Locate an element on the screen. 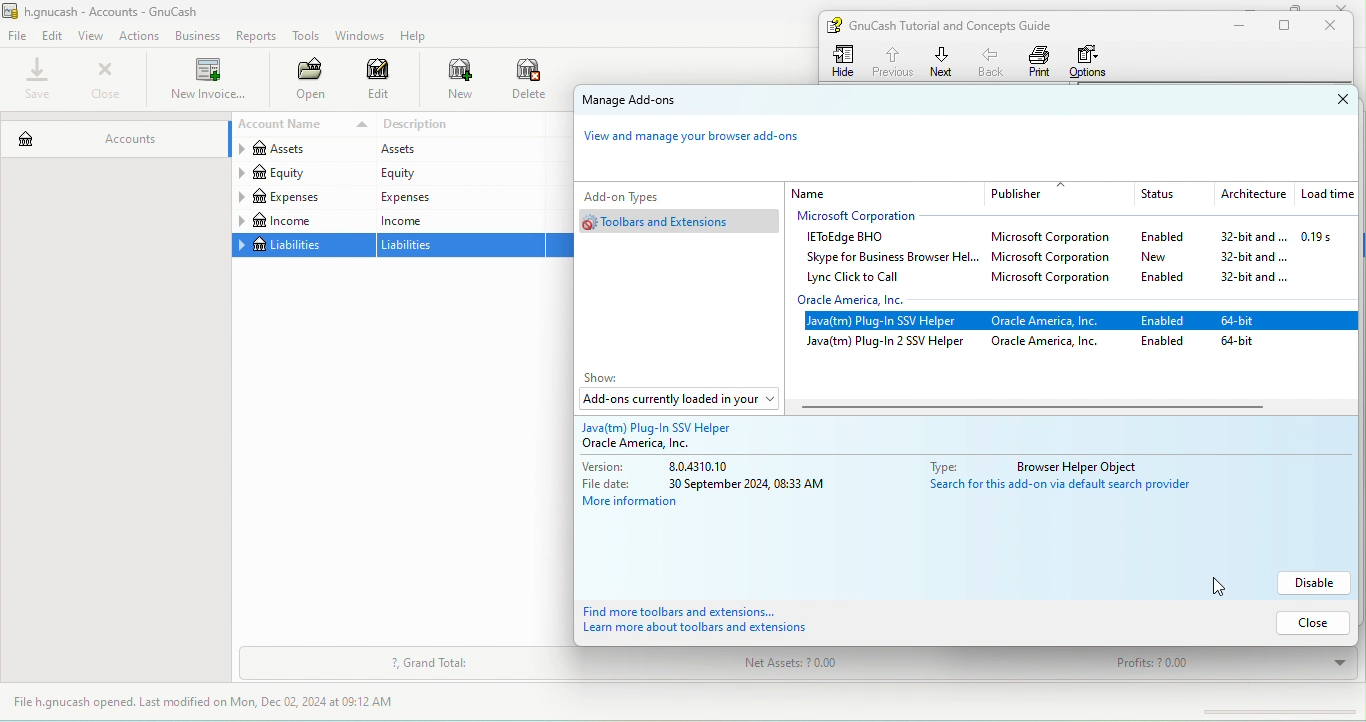 The height and width of the screenshot is (722, 1366). microsoft corporation is located at coordinates (1056, 239).